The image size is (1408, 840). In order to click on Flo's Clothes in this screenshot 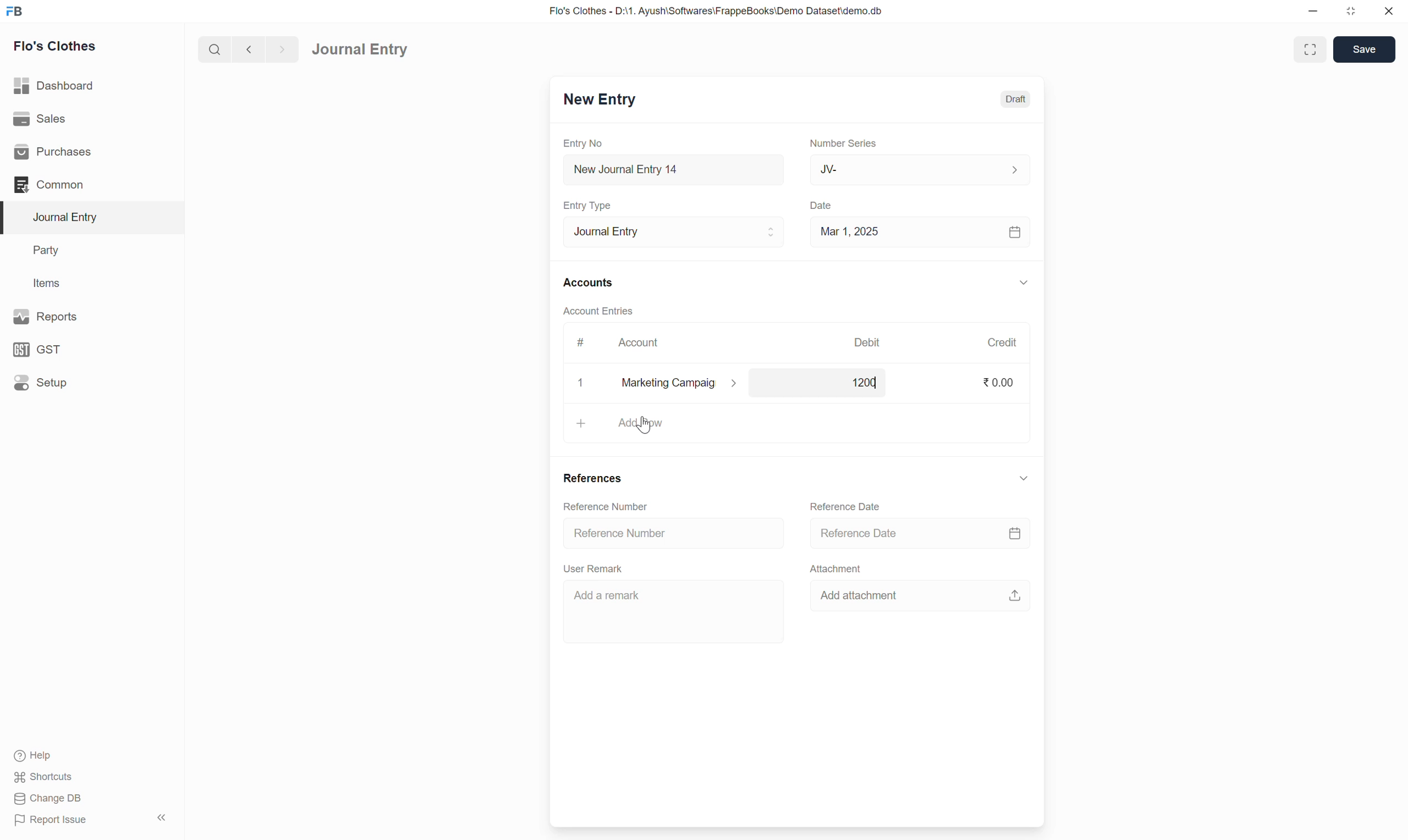, I will do `click(57, 46)`.